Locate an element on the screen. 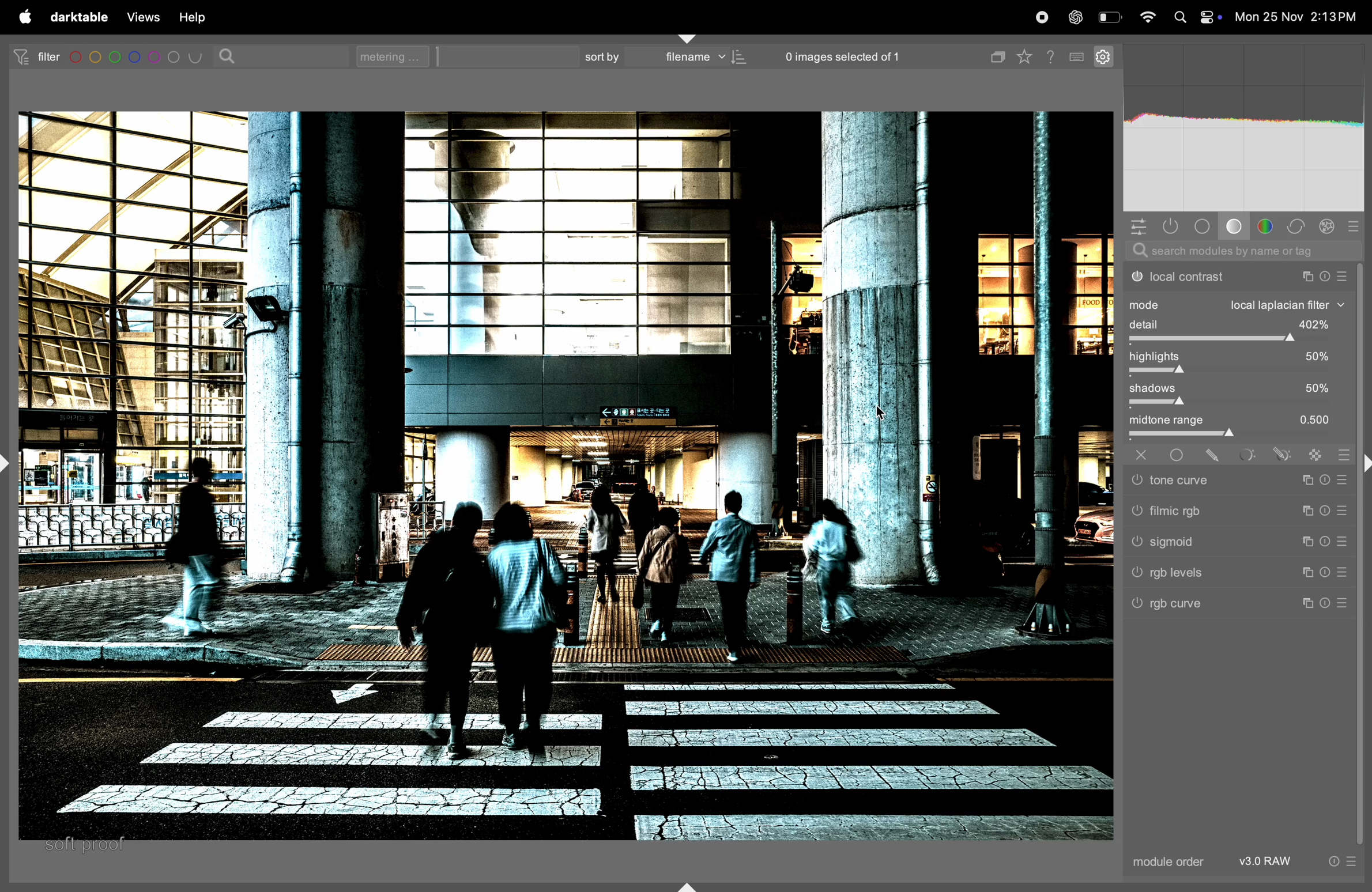 Image resolution: width=1372 pixels, height=892 pixels. shift+ctrl+t is located at coordinates (688, 37).